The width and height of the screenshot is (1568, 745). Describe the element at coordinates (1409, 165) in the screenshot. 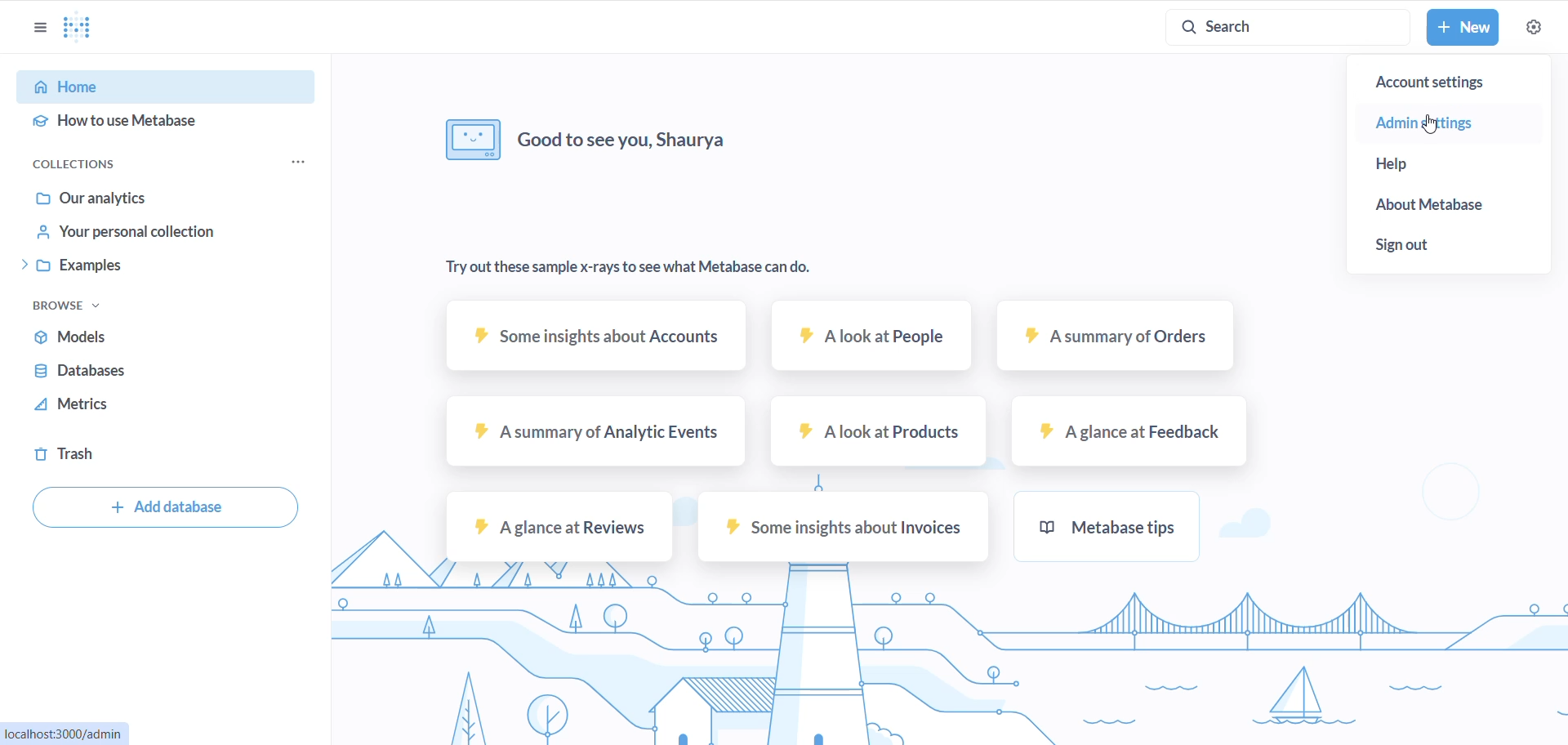

I see `help` at that location.